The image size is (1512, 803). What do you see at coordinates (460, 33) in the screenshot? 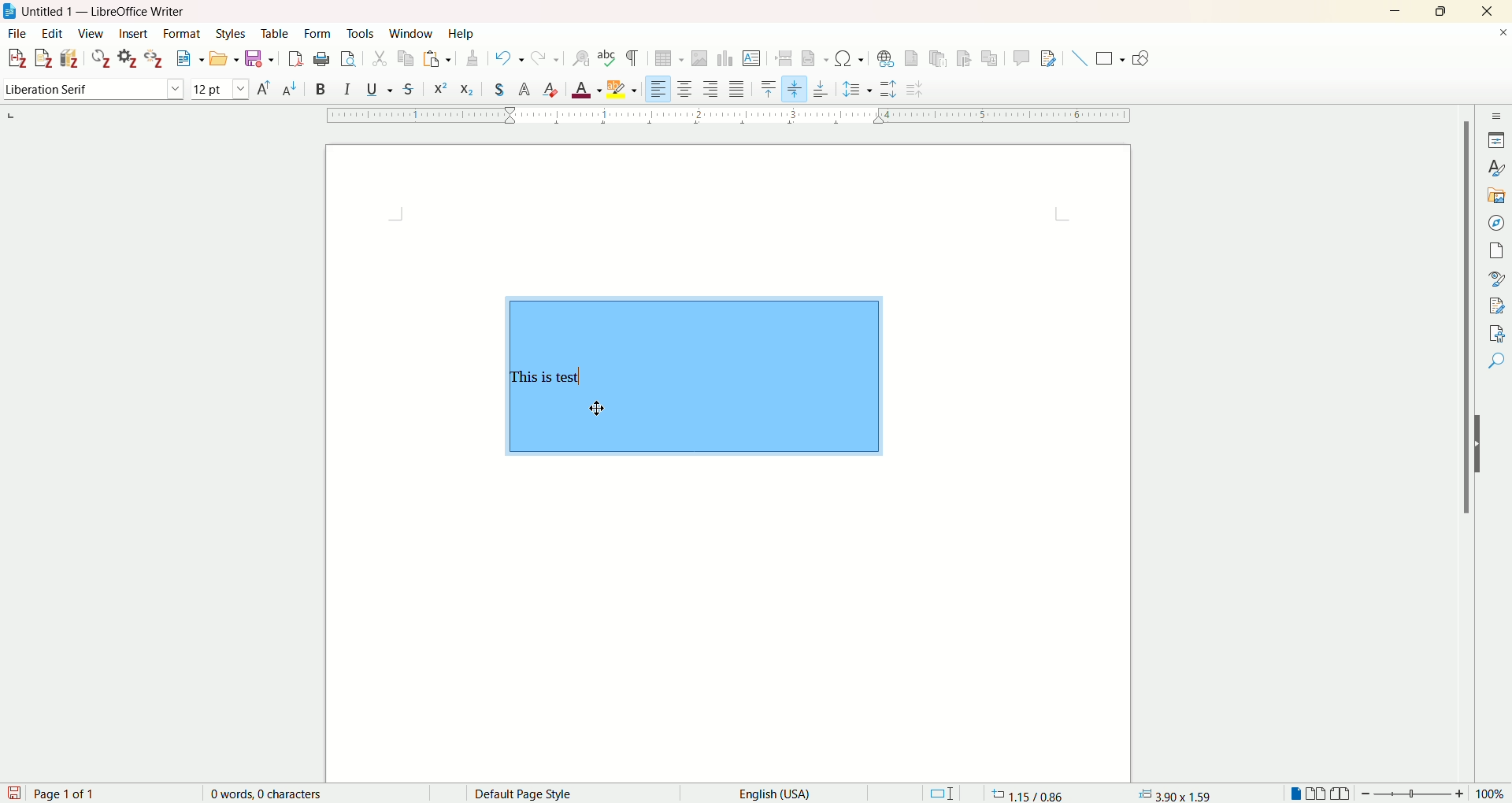
I see `help` at bounding box center [460, 33].